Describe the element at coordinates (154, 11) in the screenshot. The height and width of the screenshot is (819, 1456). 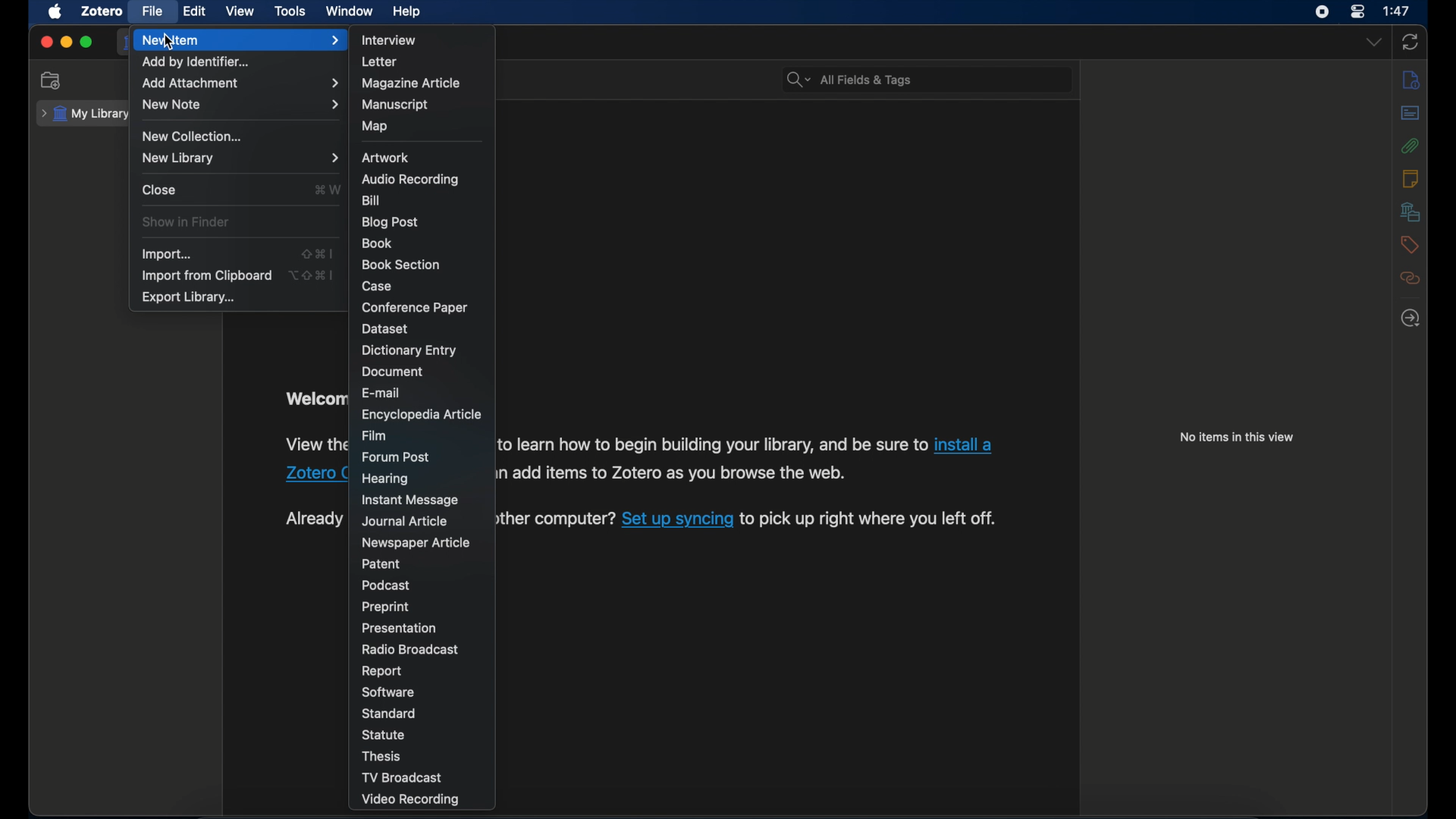
I see `file` at that location.